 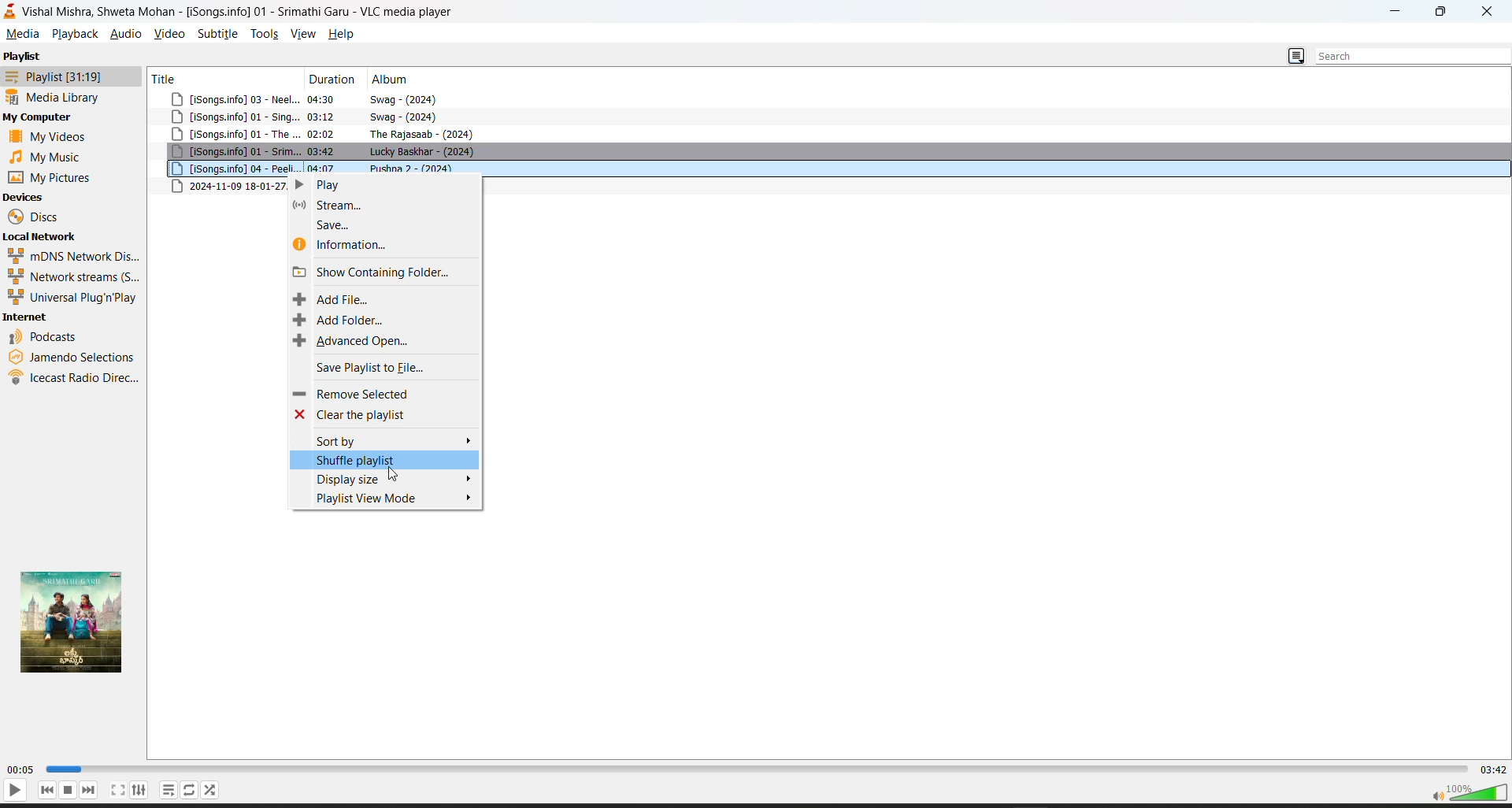 I want to click on playlist, so click(x=53, y=76).